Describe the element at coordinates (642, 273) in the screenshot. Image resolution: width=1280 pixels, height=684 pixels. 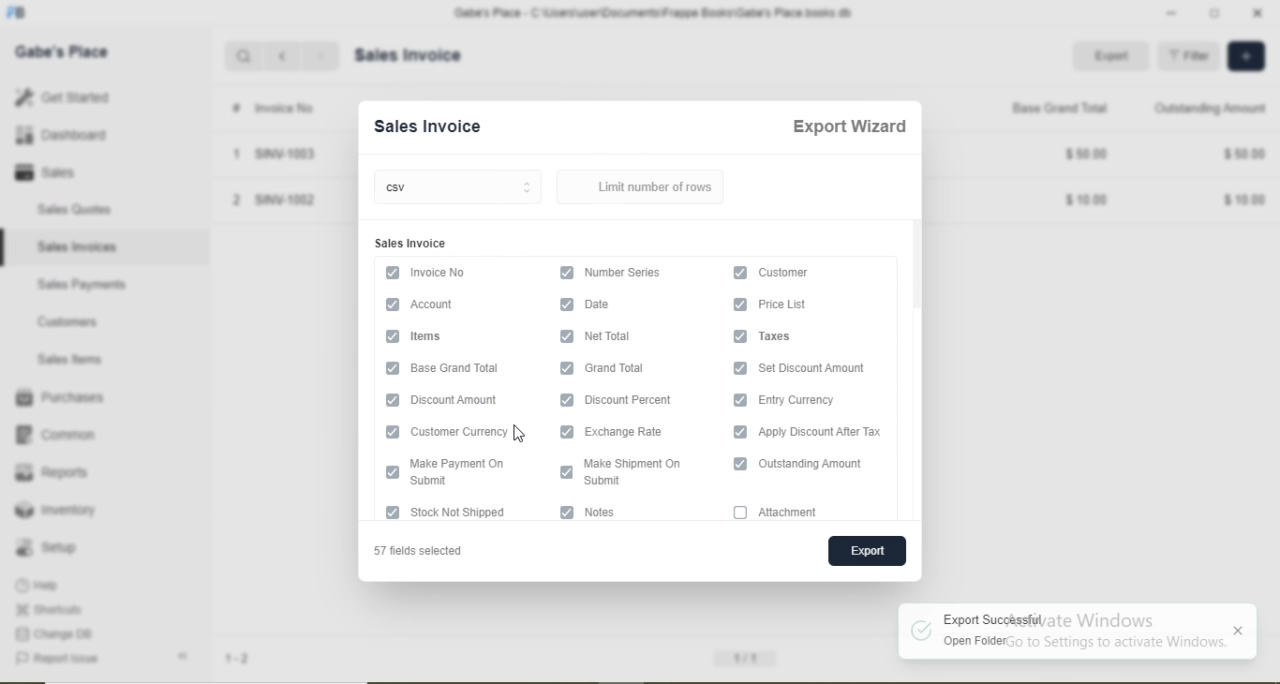
I see `Number Series` at that location.